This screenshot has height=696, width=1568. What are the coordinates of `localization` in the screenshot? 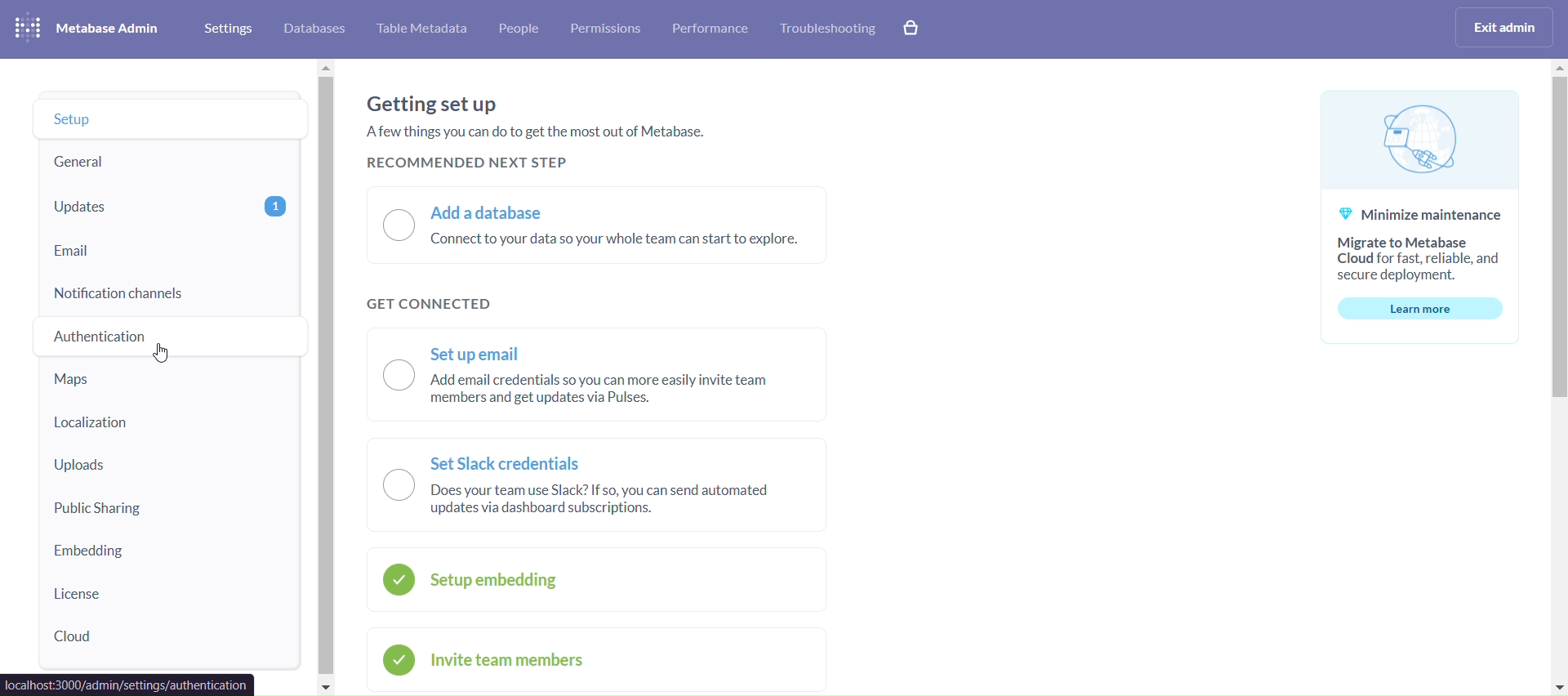 It's located at (163, 427).